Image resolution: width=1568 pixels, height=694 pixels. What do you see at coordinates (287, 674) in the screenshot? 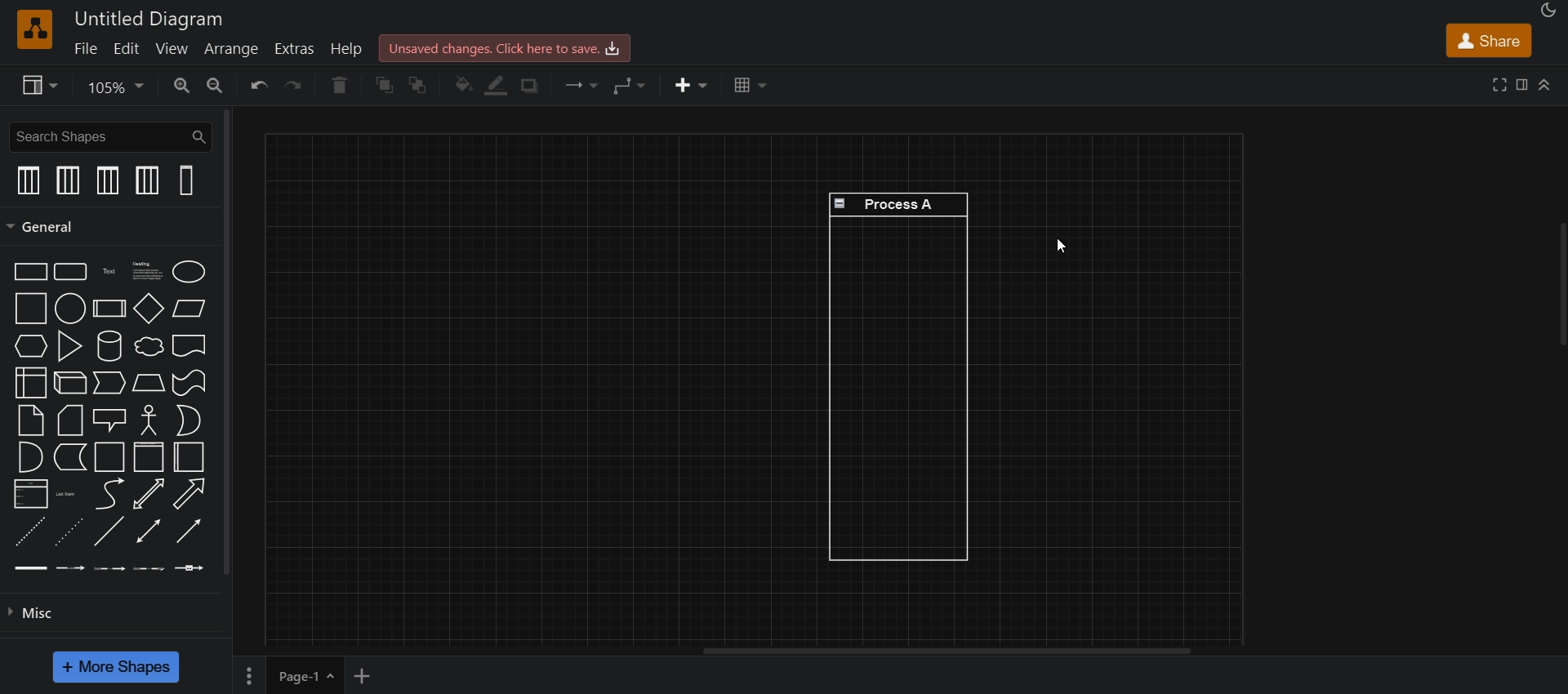
I see `page 1` at bounding box center [287, 674].